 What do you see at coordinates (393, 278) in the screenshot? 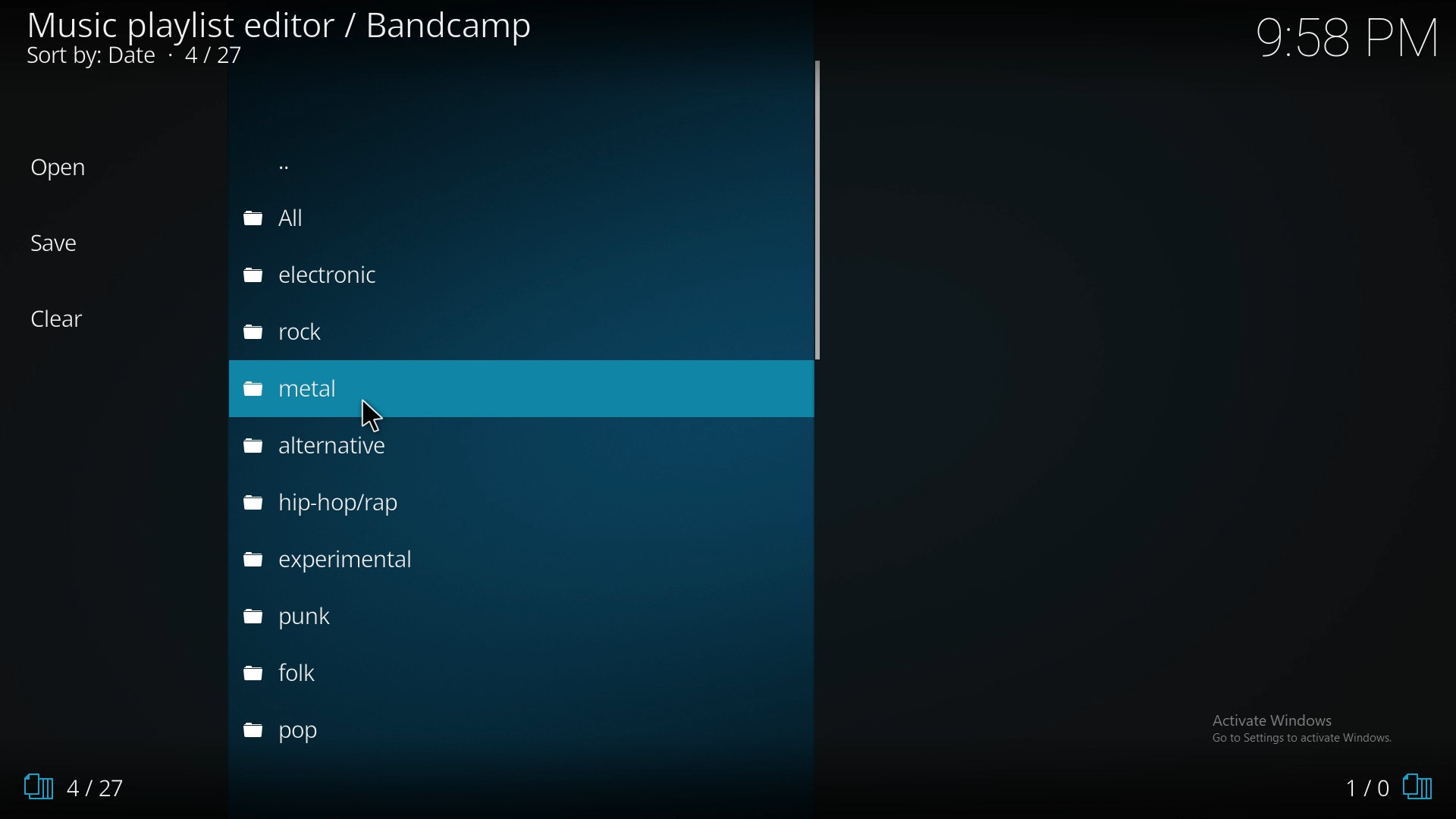
I see `music genre` at bounding box center [393, 278].